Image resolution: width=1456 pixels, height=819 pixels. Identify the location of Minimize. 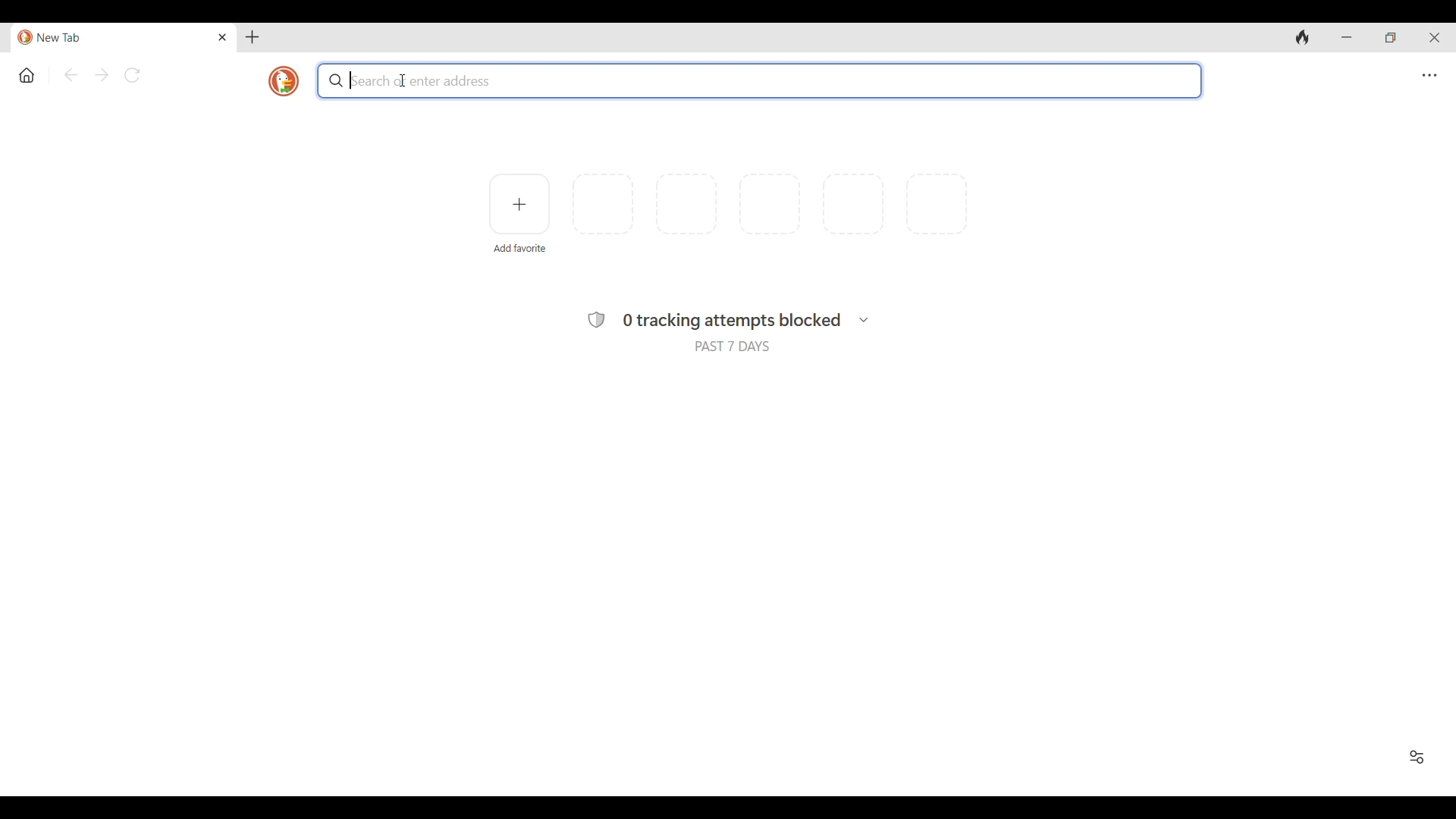
(1347, 37).